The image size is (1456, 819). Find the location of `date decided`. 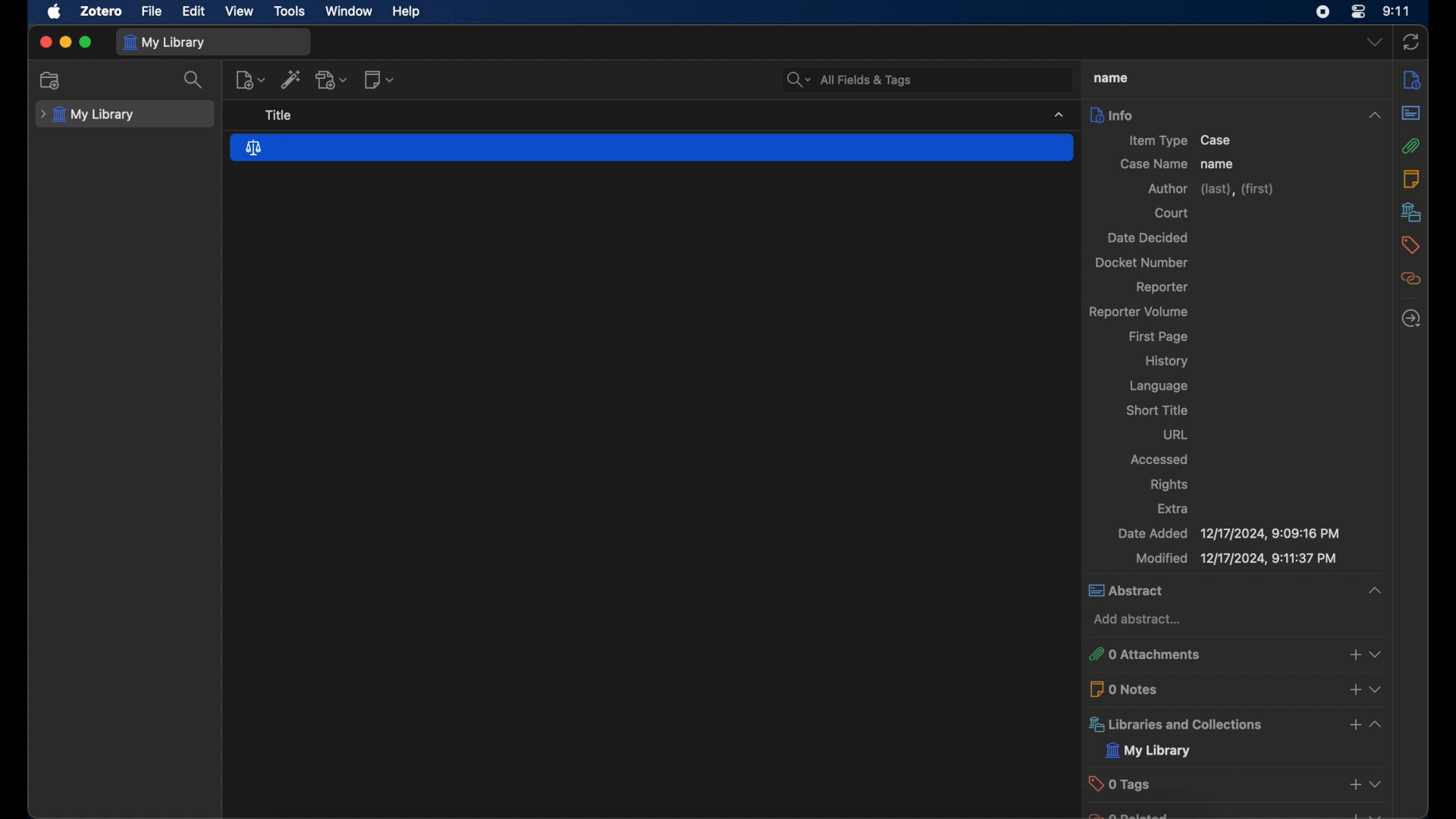

date decided is located at coordinates (1150, 238).